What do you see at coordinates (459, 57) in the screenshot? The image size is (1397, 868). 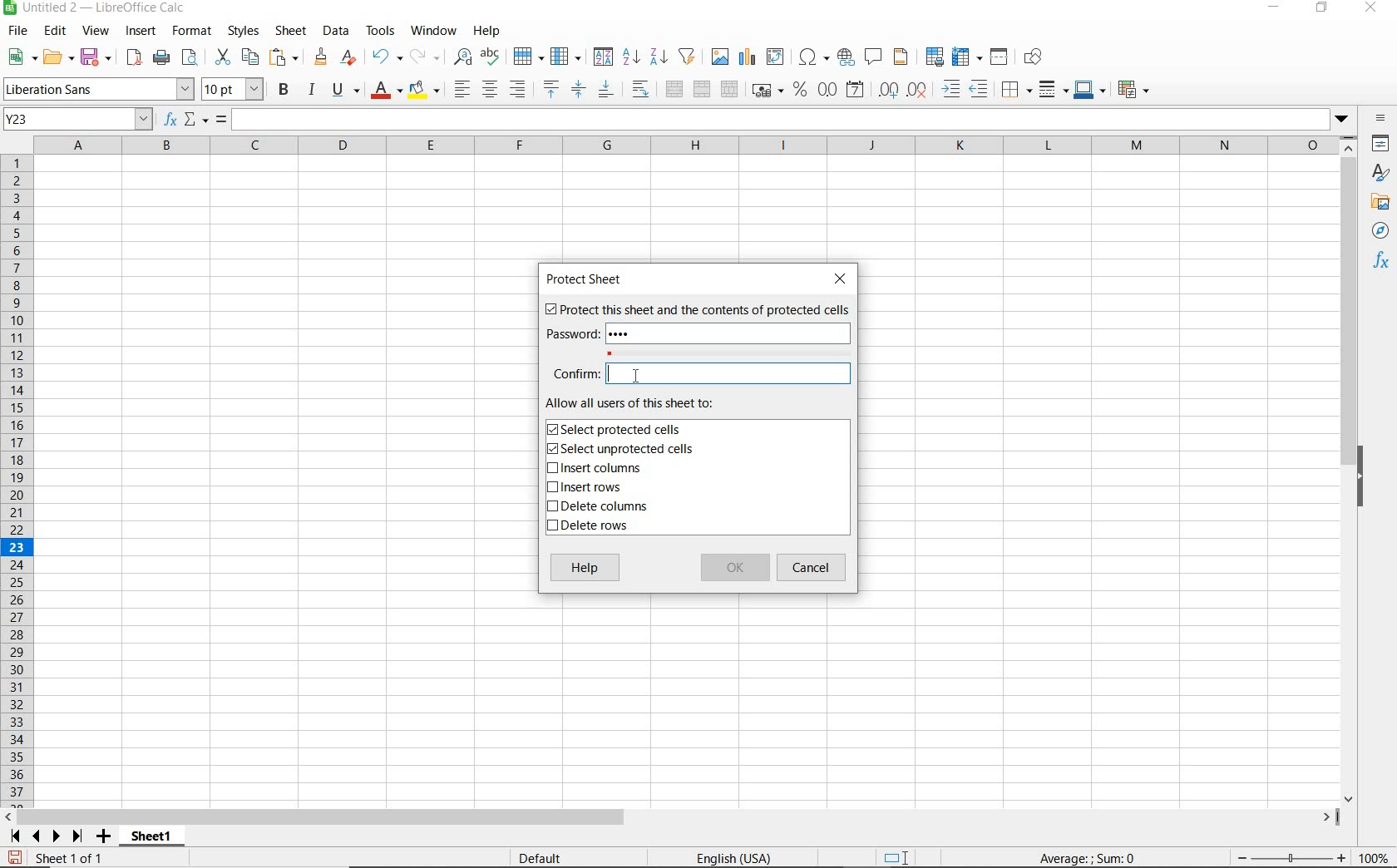 I see `FIND AND REPLACE` at bounding box center [459, 57].